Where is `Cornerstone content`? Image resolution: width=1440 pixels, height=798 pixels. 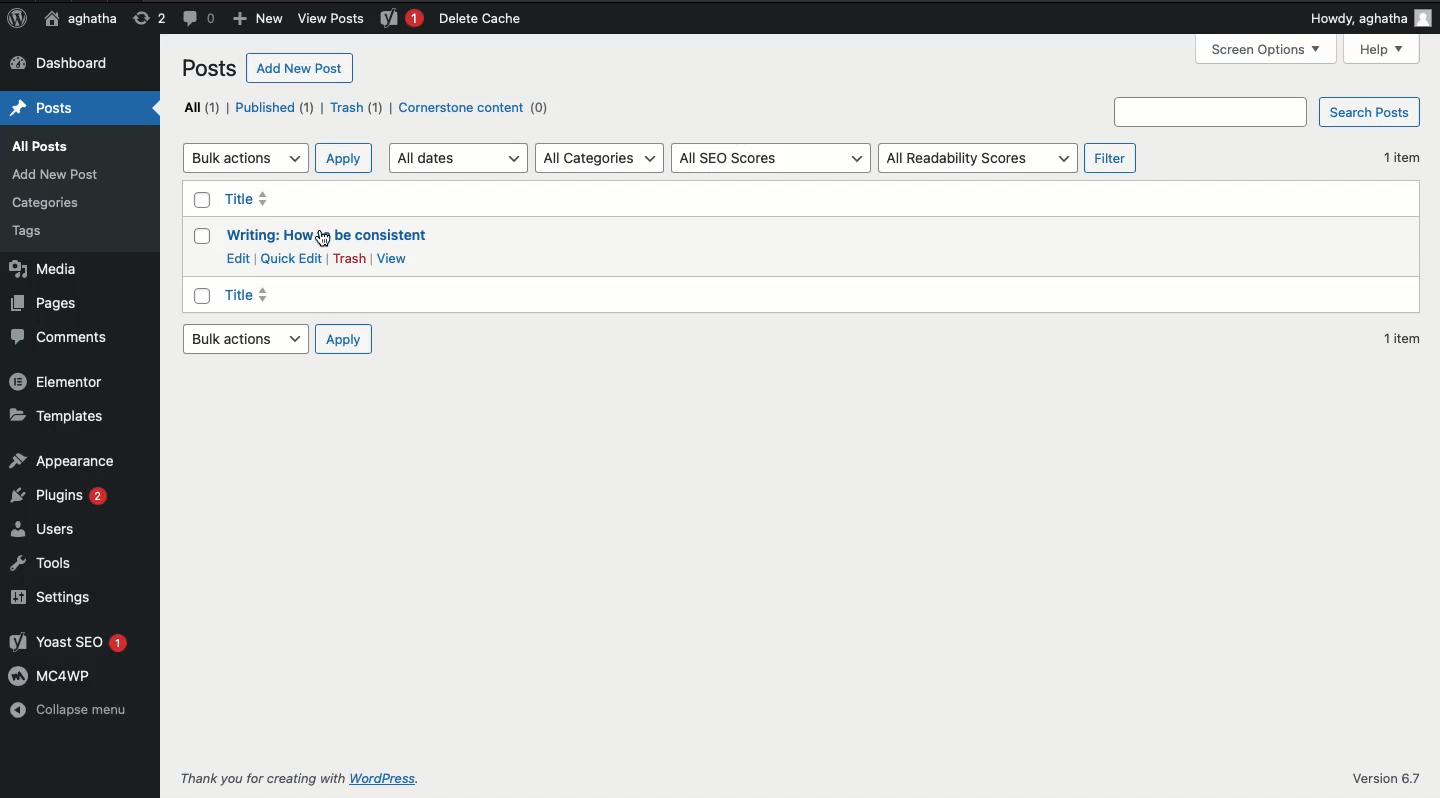
Cornerstone content is located at coordinates (472, 107).